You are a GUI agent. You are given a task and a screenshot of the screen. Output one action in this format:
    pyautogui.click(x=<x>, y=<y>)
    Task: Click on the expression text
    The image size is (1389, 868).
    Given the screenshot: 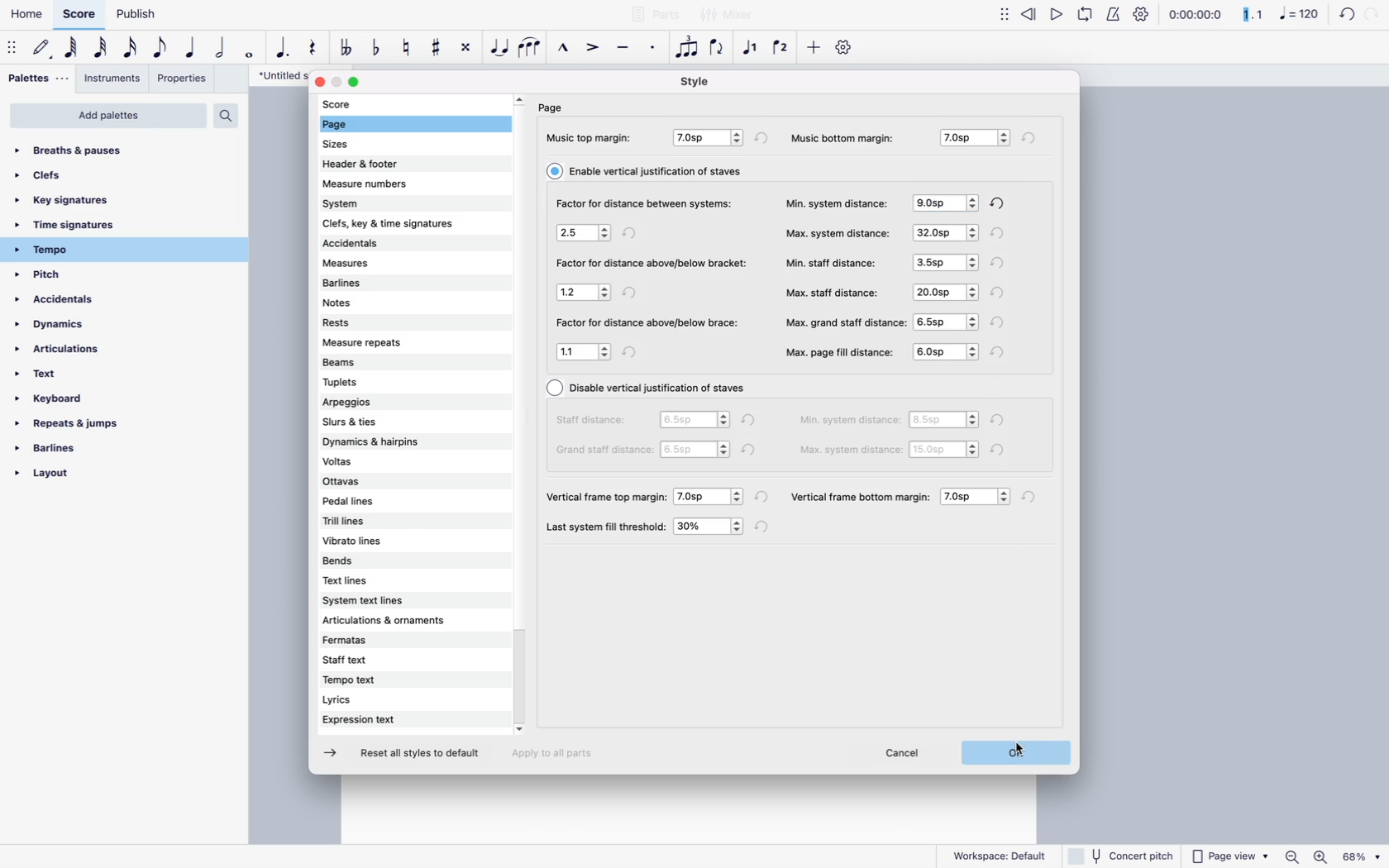 What is the action you would take?
    pyautogui.click(x=378, y=720)
    